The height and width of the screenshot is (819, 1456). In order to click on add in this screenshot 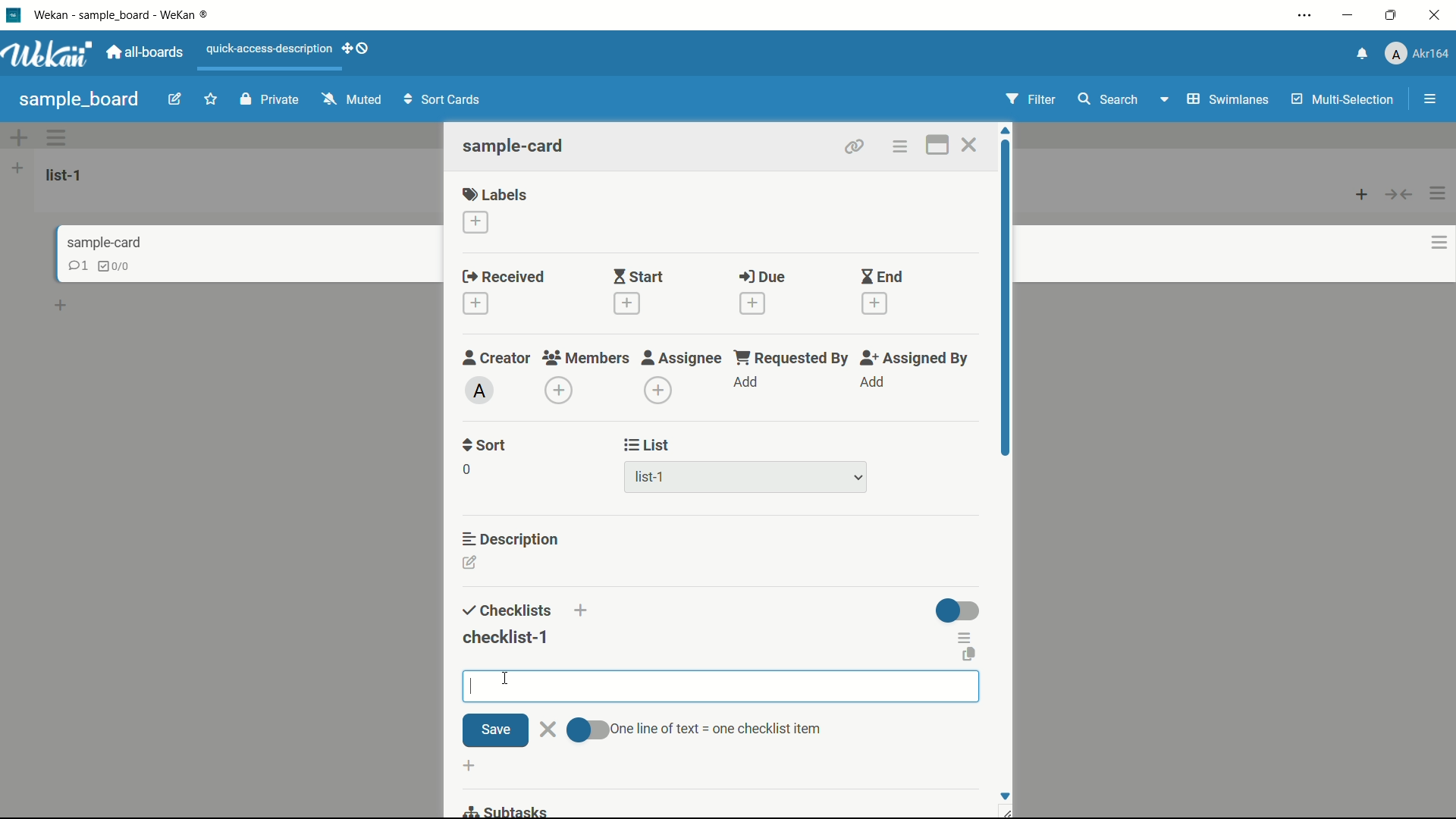, I will do `click(1357, 196)`.